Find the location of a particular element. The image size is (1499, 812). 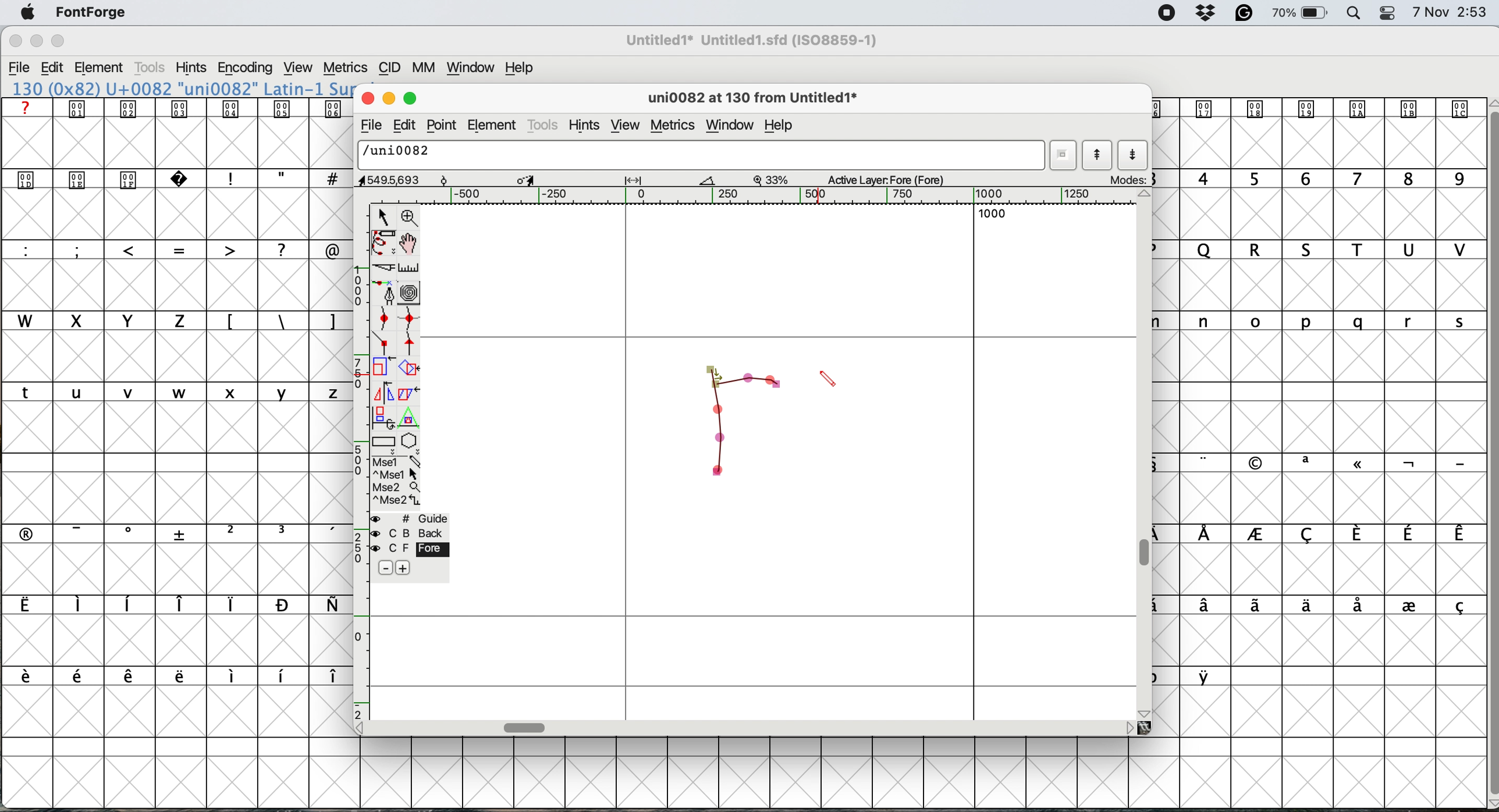

star or polygon is located at coordinates (409, 443).